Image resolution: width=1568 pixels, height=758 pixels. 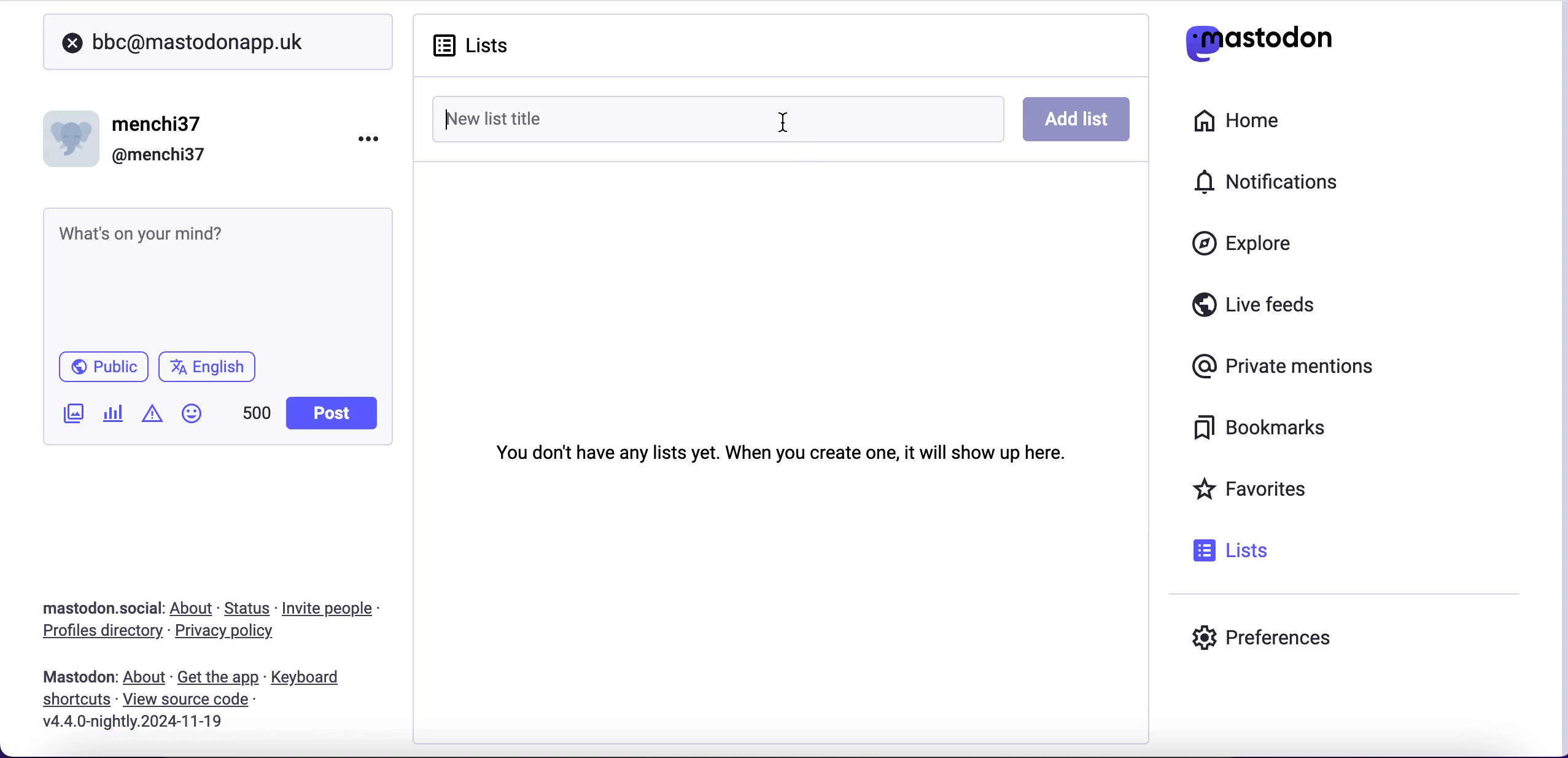 What do you see at coordinates (72, 44) in the screenshot?
I see `close` at bounding box center [72, 44].